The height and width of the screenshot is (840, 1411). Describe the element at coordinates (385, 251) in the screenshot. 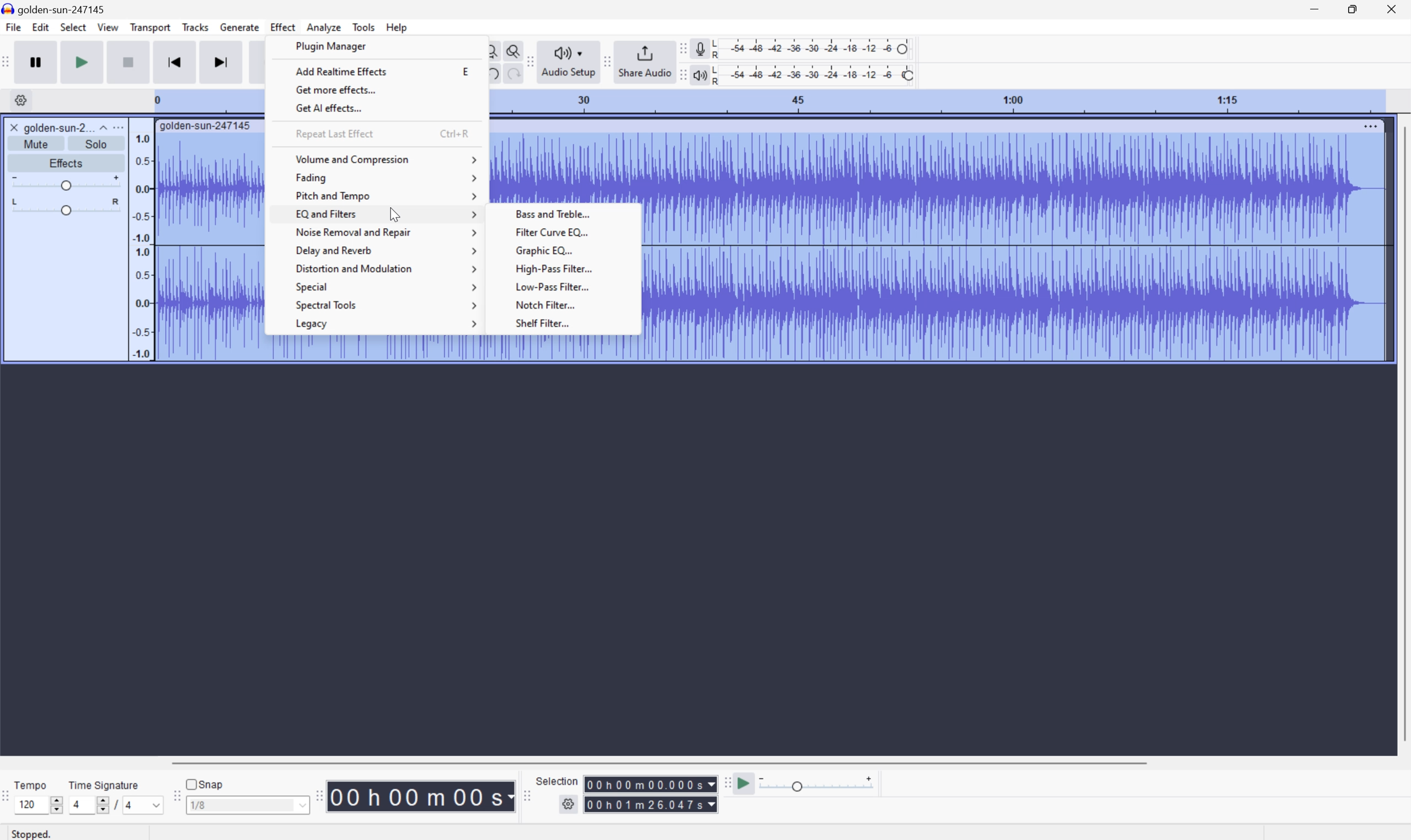

I see `Delay and reverb` at that location.